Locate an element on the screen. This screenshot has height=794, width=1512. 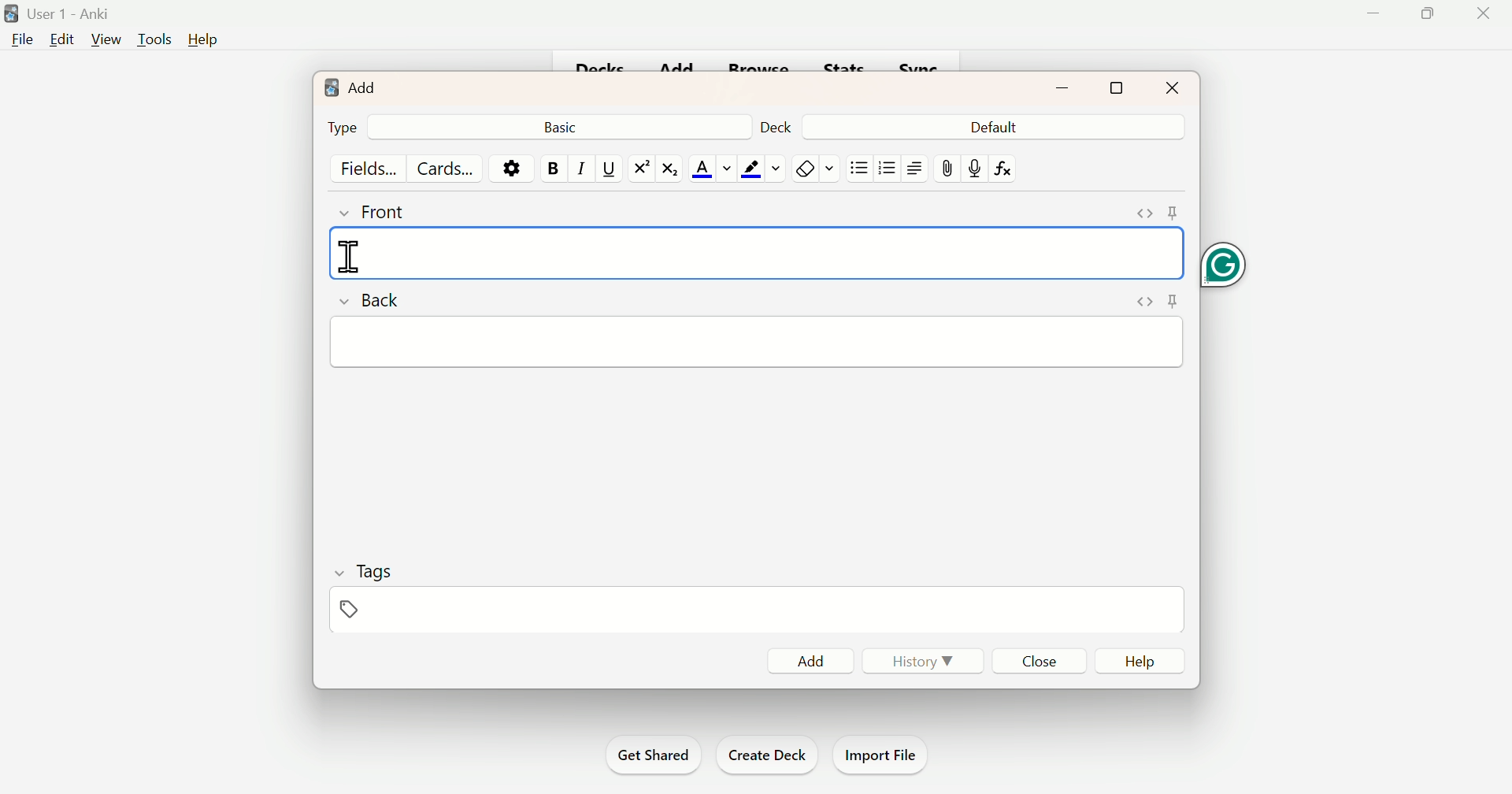
minimize is located at coordinates (1062, 88).